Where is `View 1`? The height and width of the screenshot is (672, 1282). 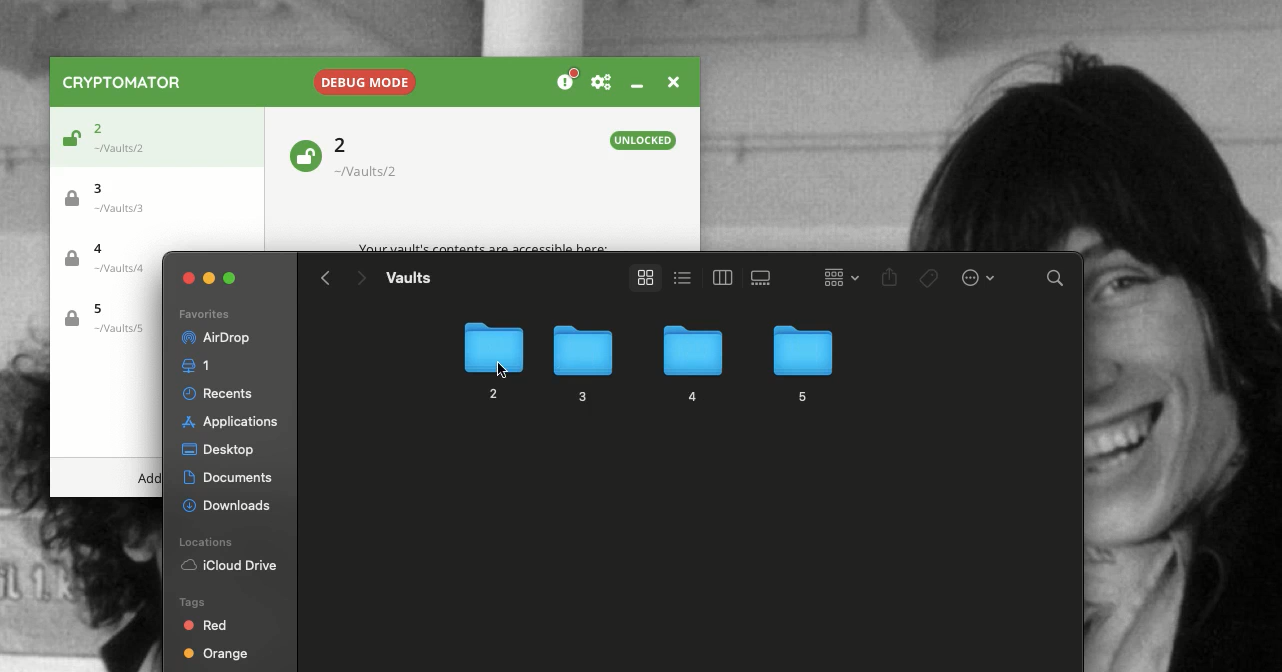
View 1 is located at coordinates (680, 276).